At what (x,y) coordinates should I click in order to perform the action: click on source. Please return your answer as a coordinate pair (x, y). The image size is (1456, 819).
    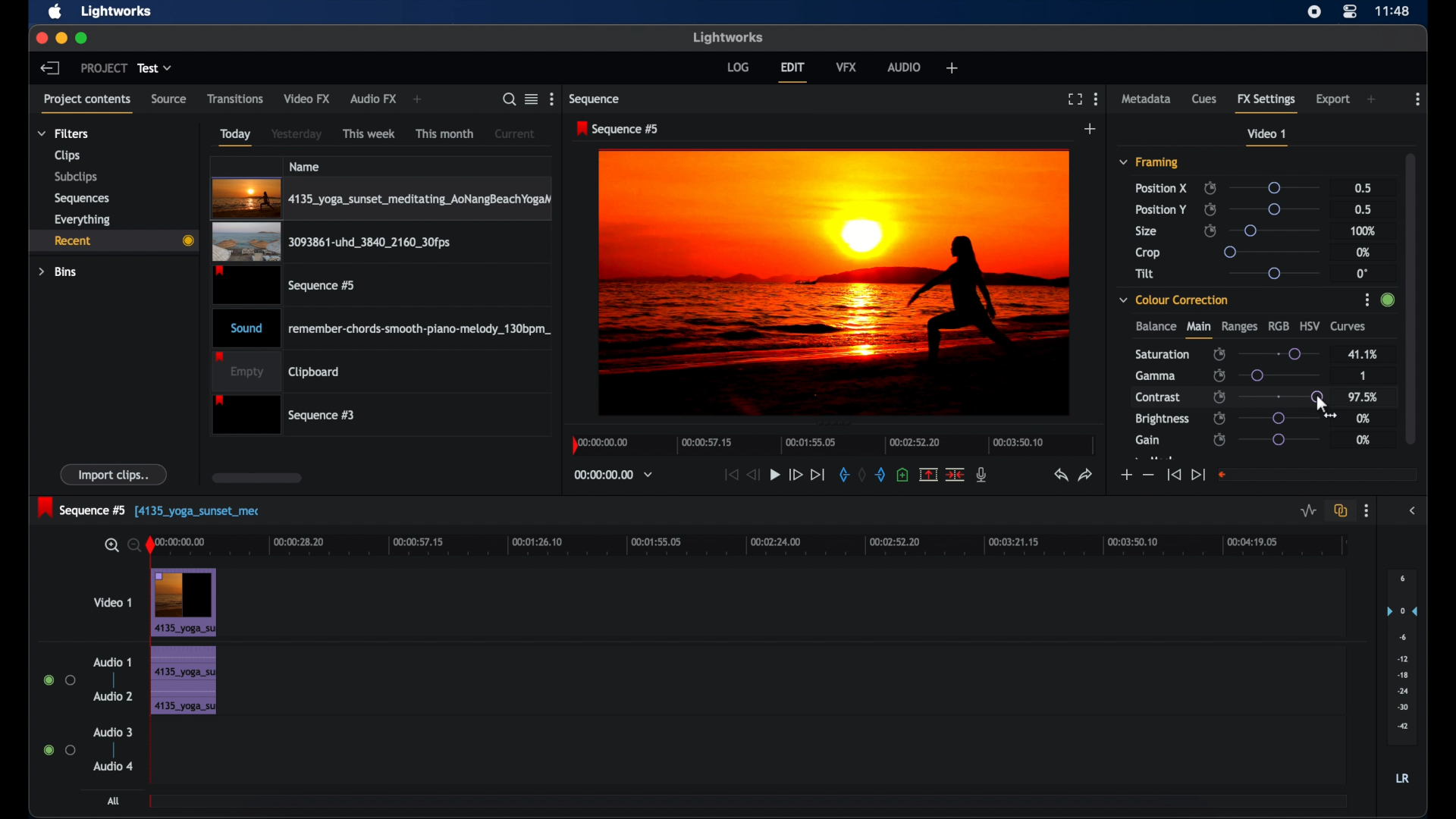
    Looking at the image, I should click on (169, 99).